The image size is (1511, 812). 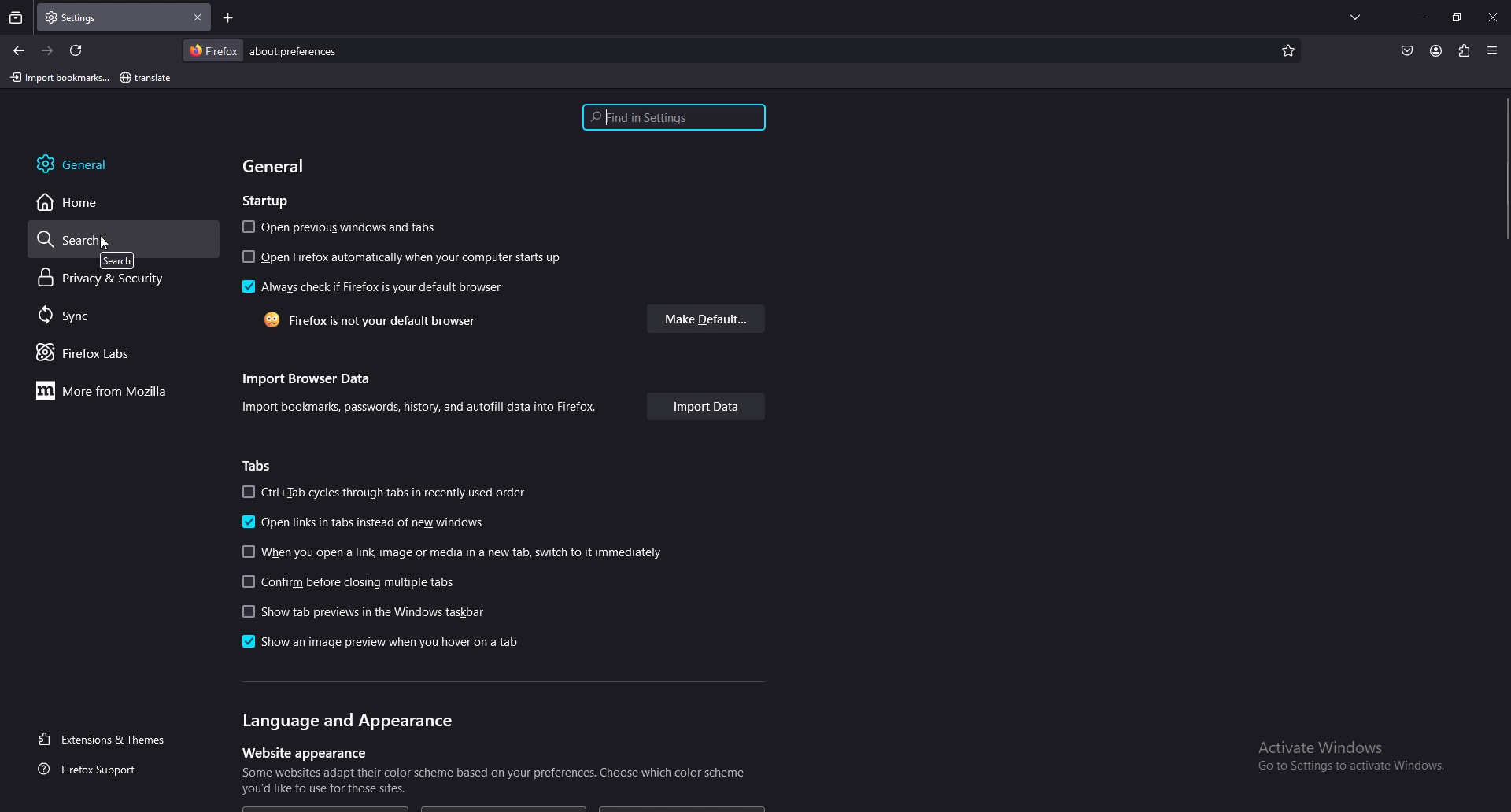 I want to click on search bar, so click(x=725, y=50).